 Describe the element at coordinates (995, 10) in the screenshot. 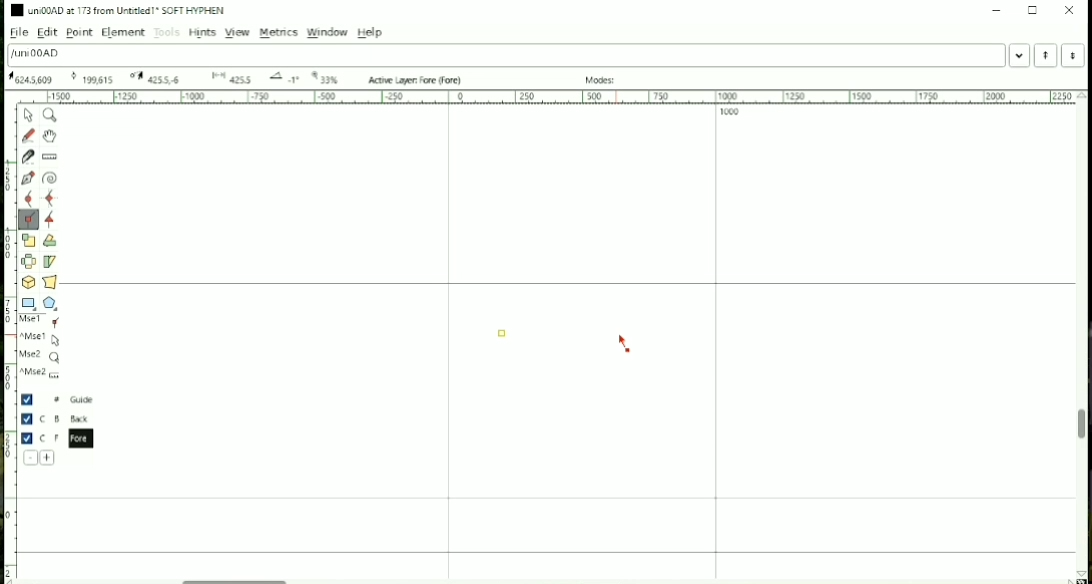

I see `Minimize` at that location.